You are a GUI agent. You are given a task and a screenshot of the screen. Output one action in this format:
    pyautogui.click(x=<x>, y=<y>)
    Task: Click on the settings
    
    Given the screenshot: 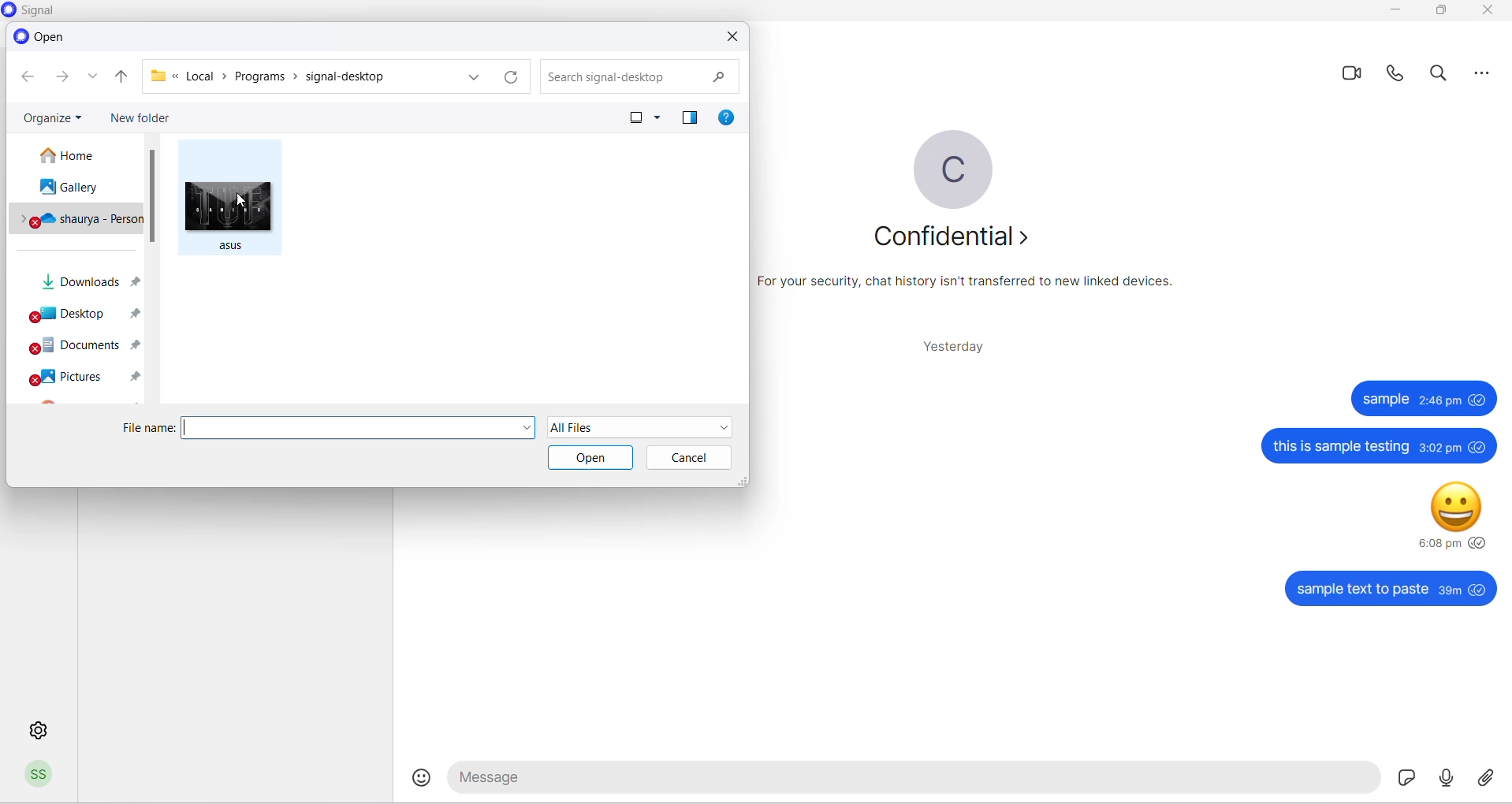 What is the action you would take?
    pyautogui.click(x=35, y=728)
    